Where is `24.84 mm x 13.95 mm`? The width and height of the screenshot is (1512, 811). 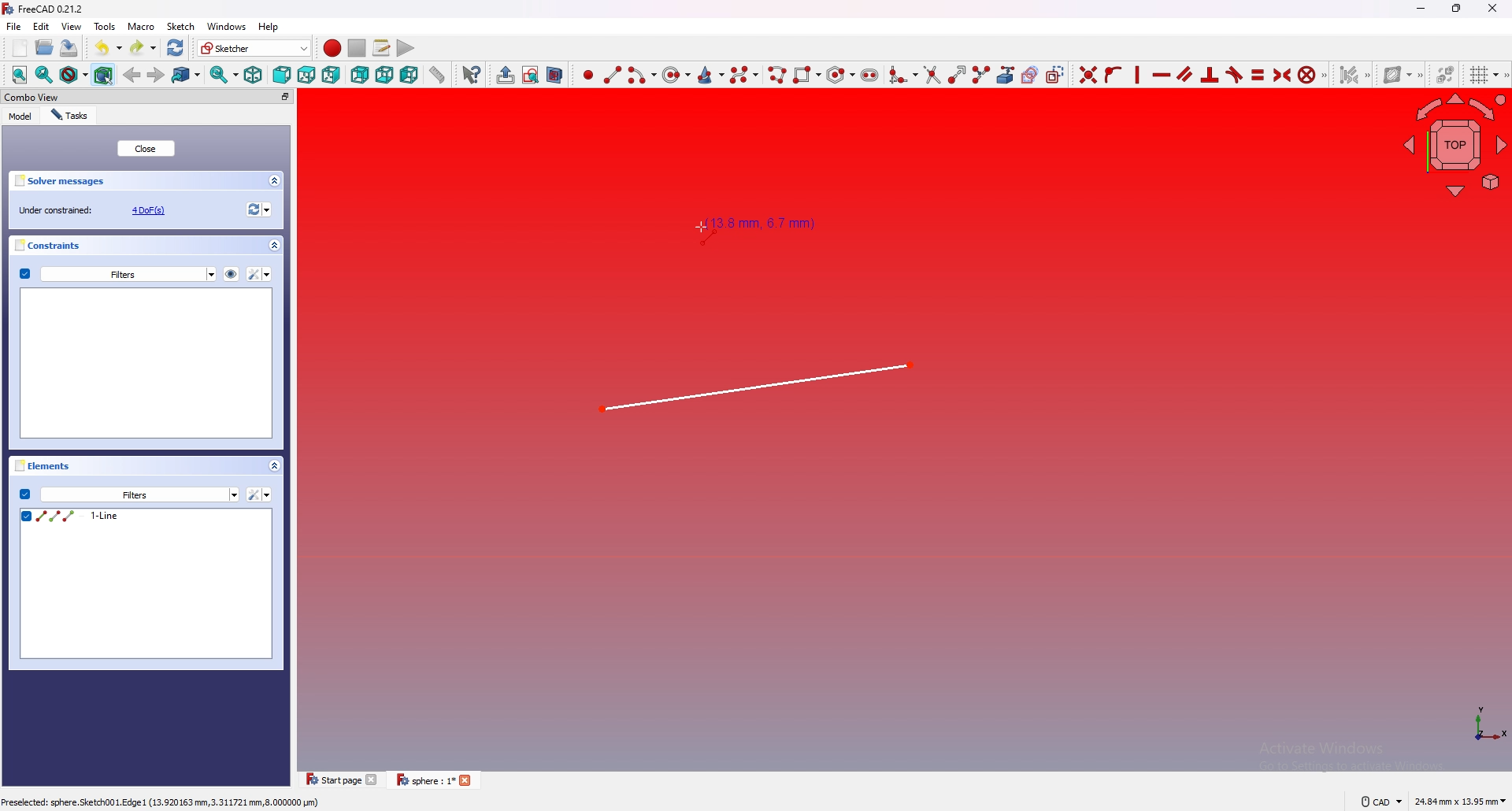
24.84 mm x 13.95 mm is located at coordinates (1460, 802).